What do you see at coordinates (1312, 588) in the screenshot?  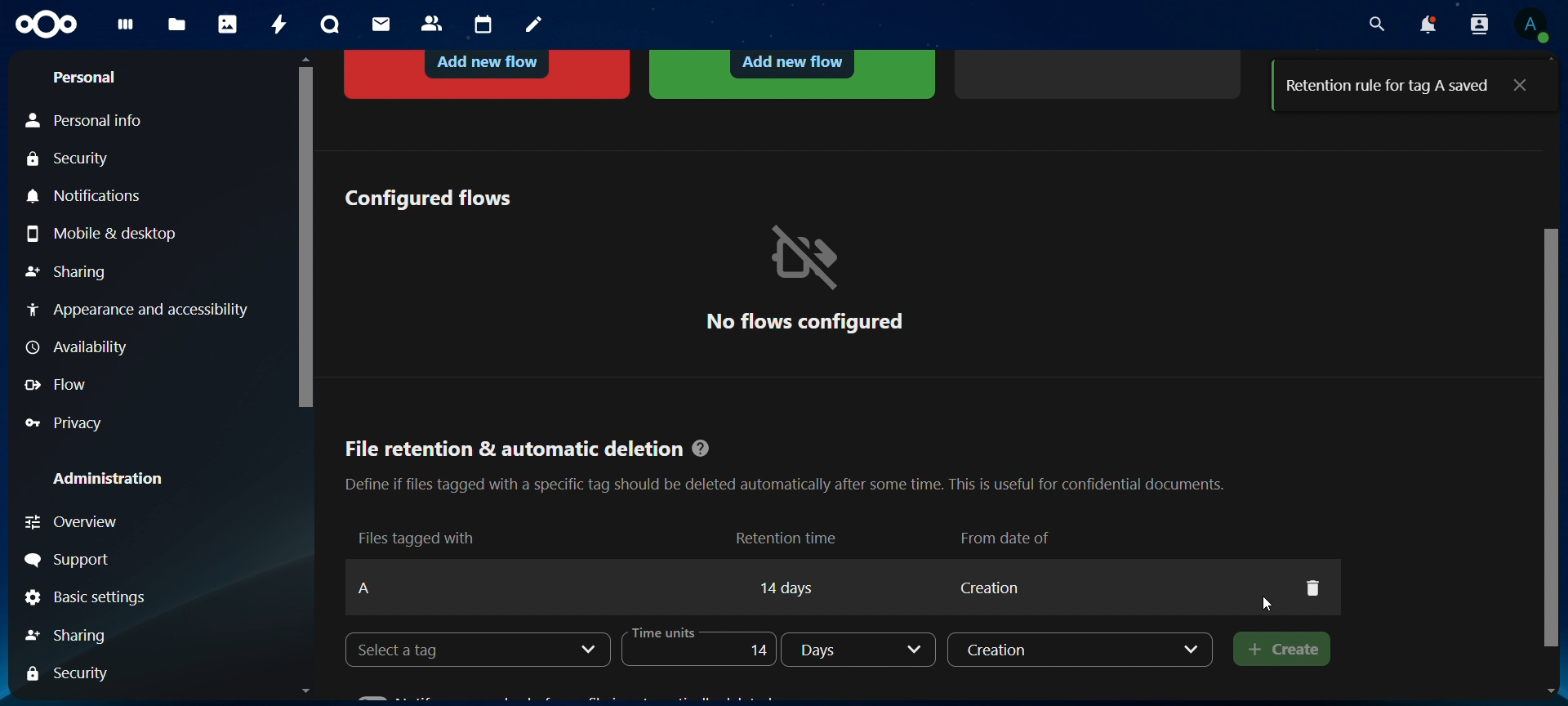 I see `delete` at bounding box center [1312, 588].